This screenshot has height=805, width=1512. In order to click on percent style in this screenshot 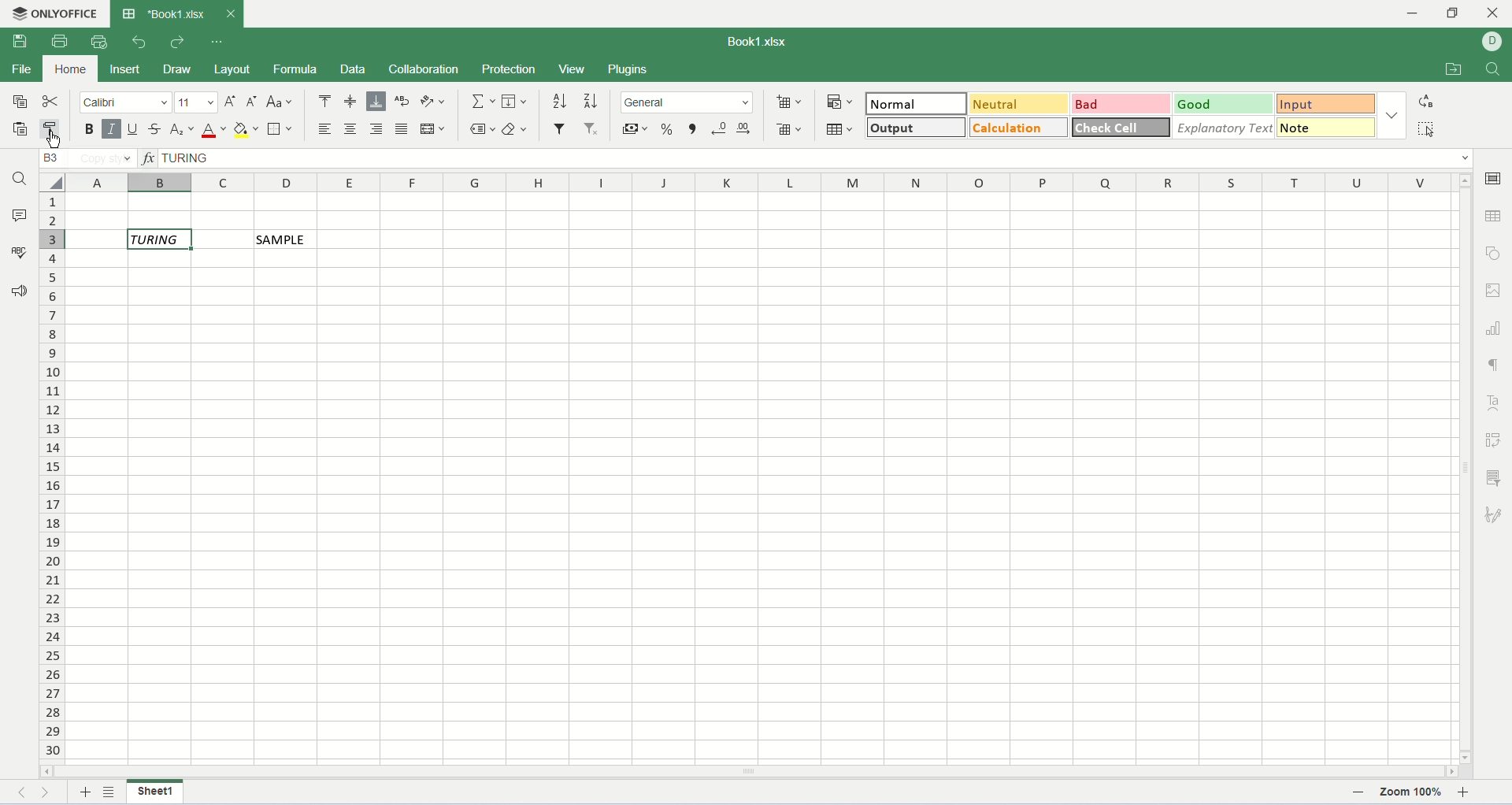, I will do `click(669, 130)`.